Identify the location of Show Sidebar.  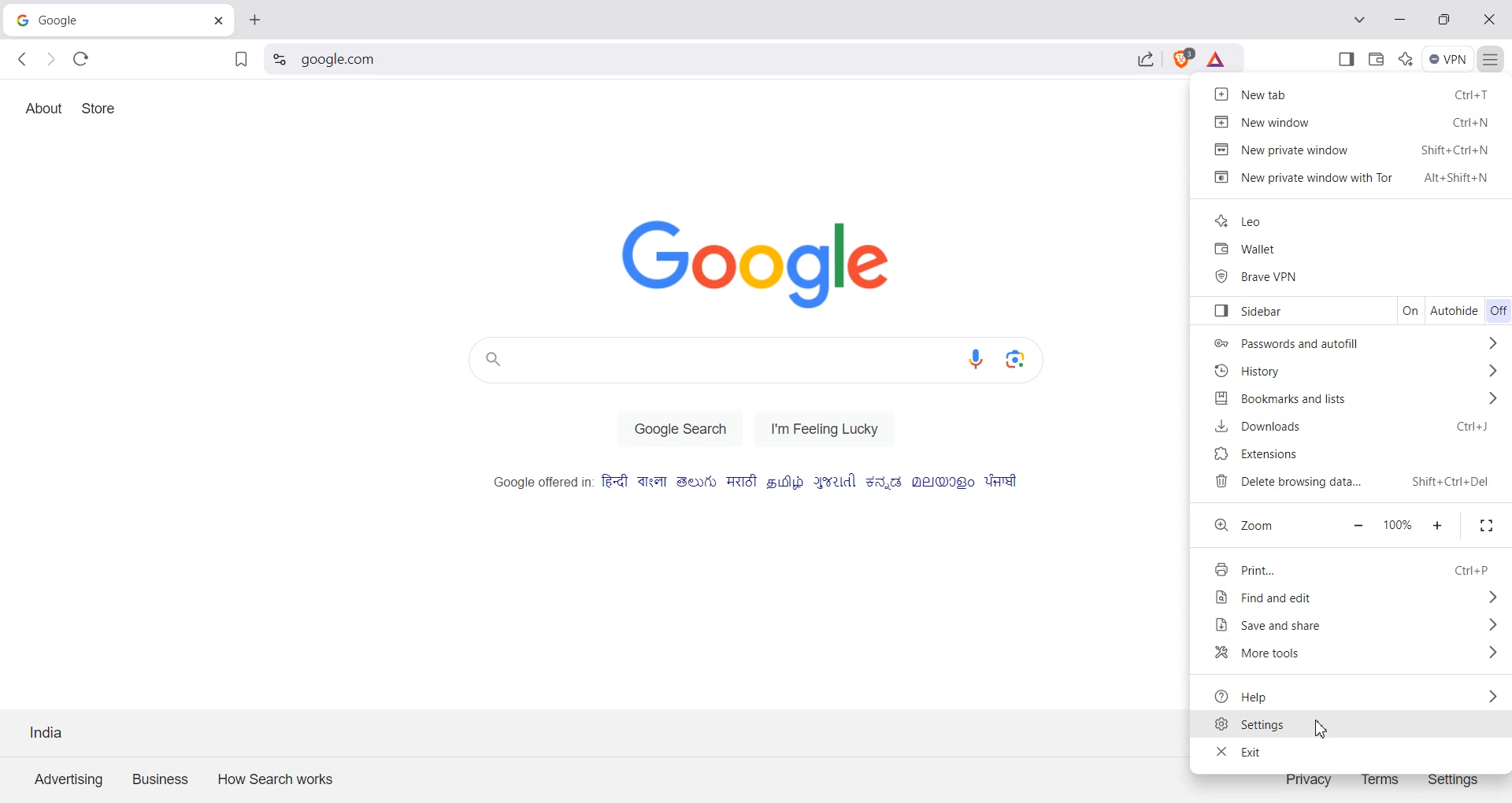
(1347, 58).